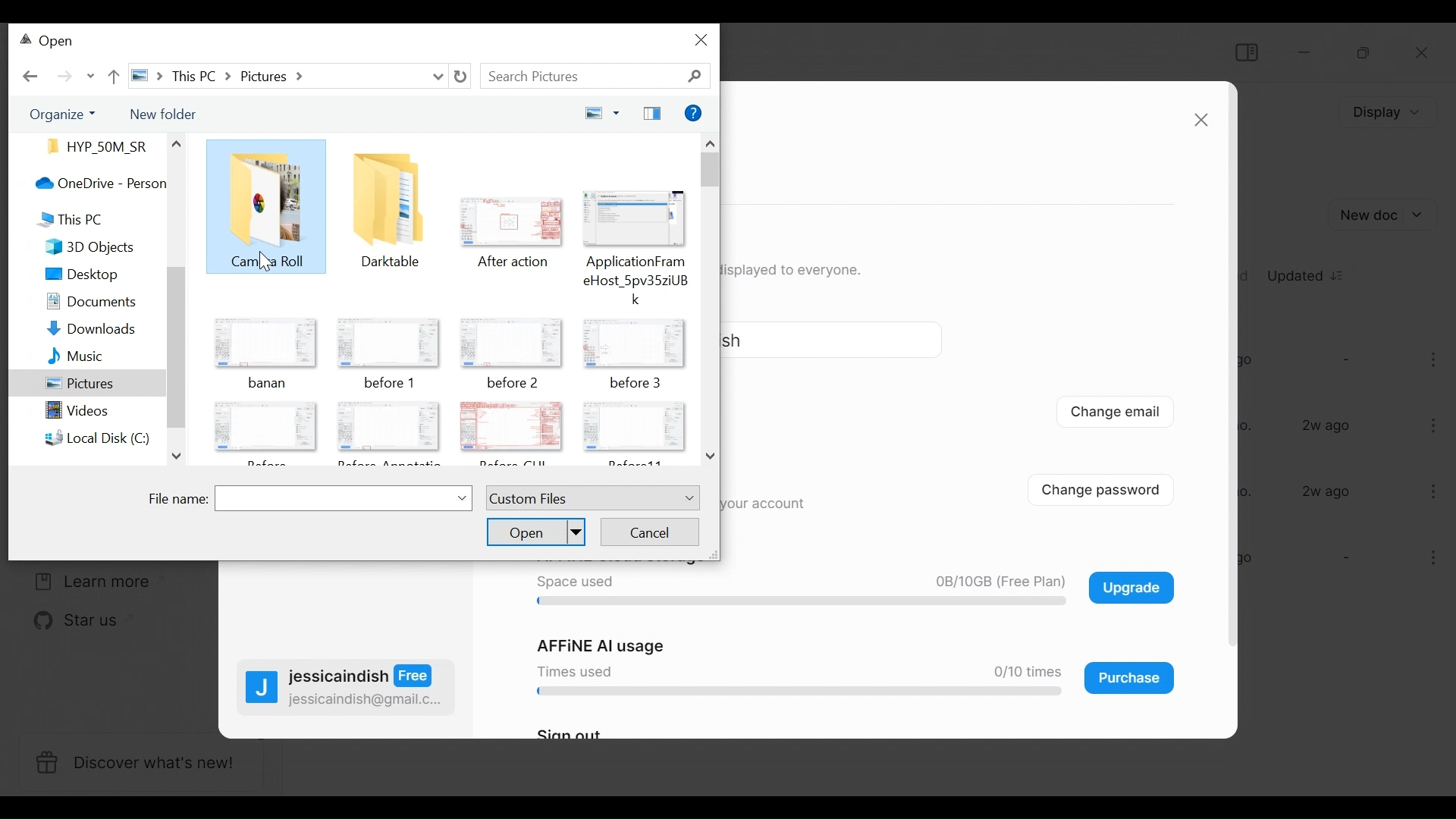  Describe the element at coordinates (64, 77) in the screenshot. I see `Click to go Forward` at that location.